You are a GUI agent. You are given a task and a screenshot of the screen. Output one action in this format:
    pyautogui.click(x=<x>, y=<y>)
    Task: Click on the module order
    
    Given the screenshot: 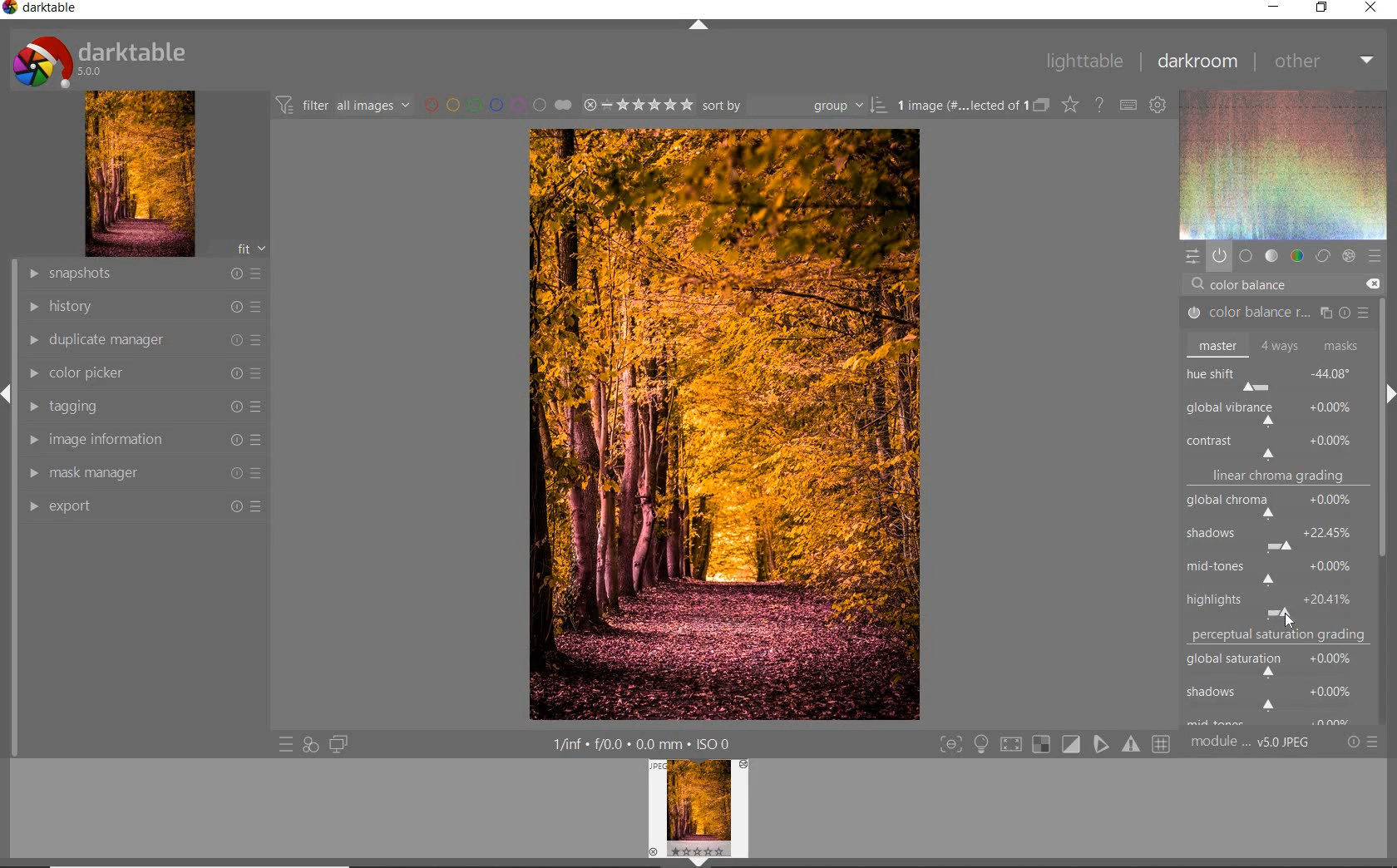 What is the action you would take?
    pyautogui.click(x=1250, y=744)
    